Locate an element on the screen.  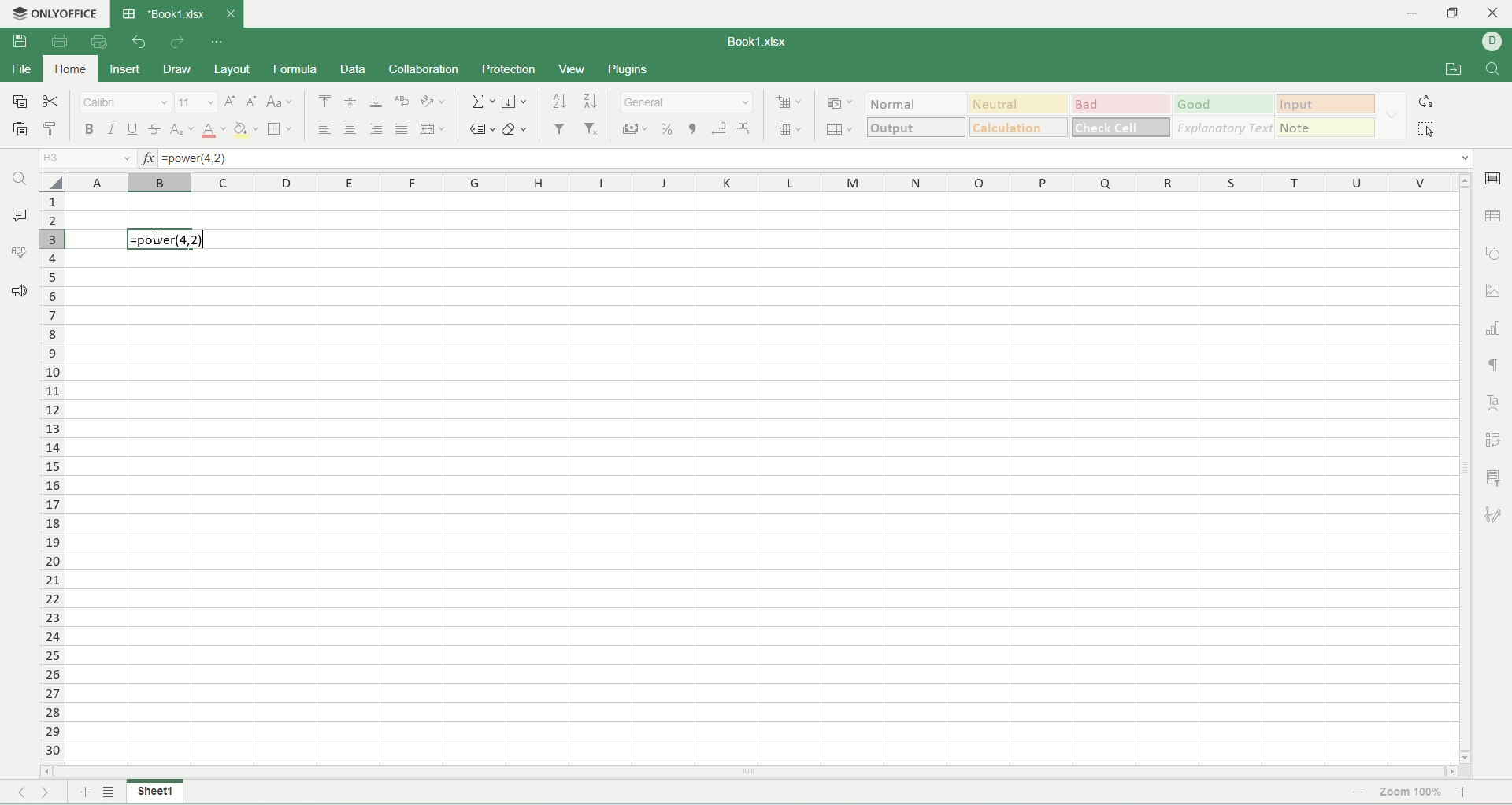
wrap text is located at coordinates (405, 101).